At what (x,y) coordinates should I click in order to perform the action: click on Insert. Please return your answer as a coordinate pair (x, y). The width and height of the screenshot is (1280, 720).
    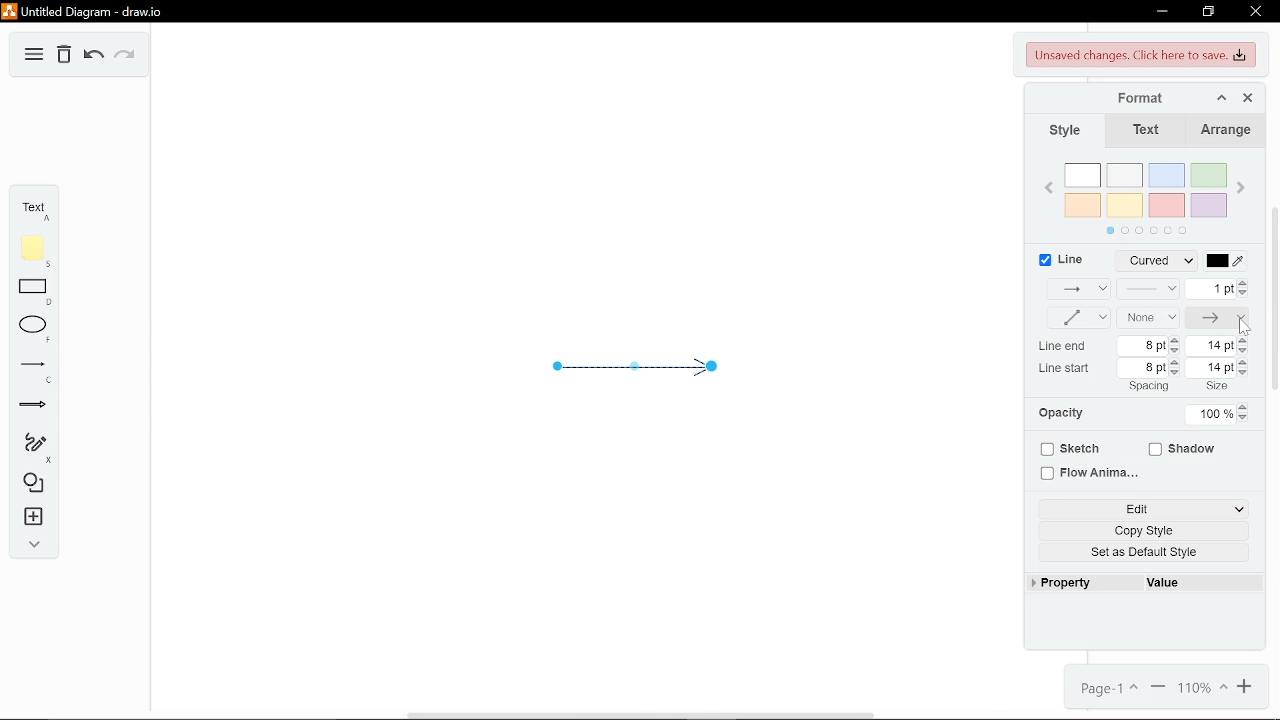
    Looking at the image, I should click on (32, 518).